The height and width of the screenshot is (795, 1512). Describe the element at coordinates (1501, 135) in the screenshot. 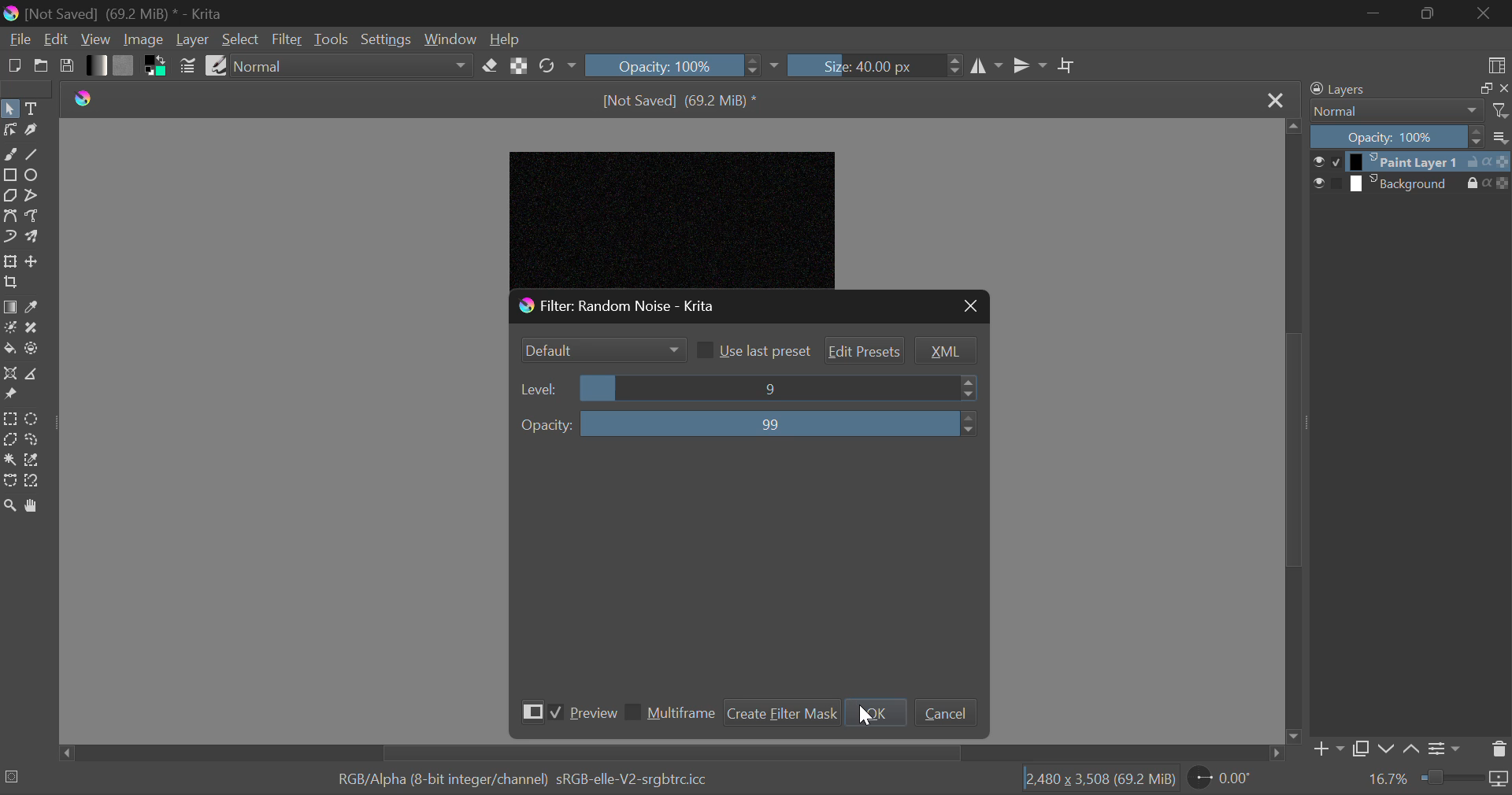

I see `options` at that location.